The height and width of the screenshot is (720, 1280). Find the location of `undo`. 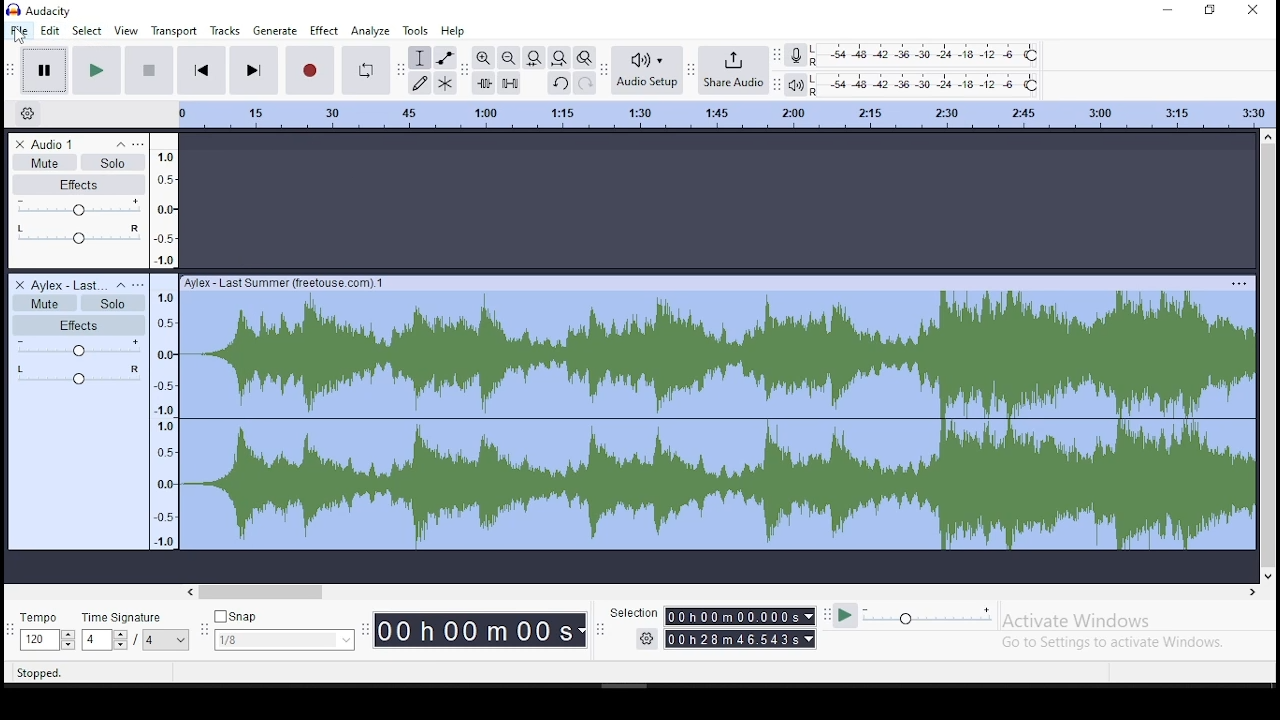

undo is located at coordinates (558, 83).